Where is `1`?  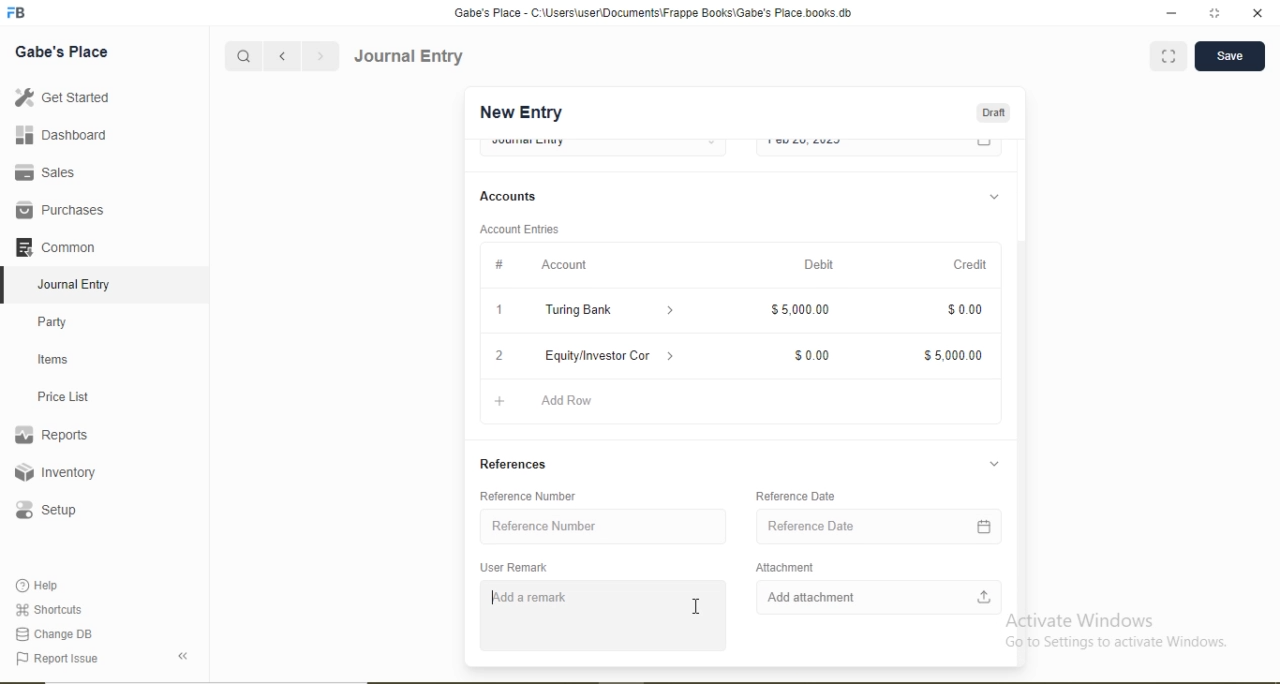 1 is located at coordinates (499, 309).